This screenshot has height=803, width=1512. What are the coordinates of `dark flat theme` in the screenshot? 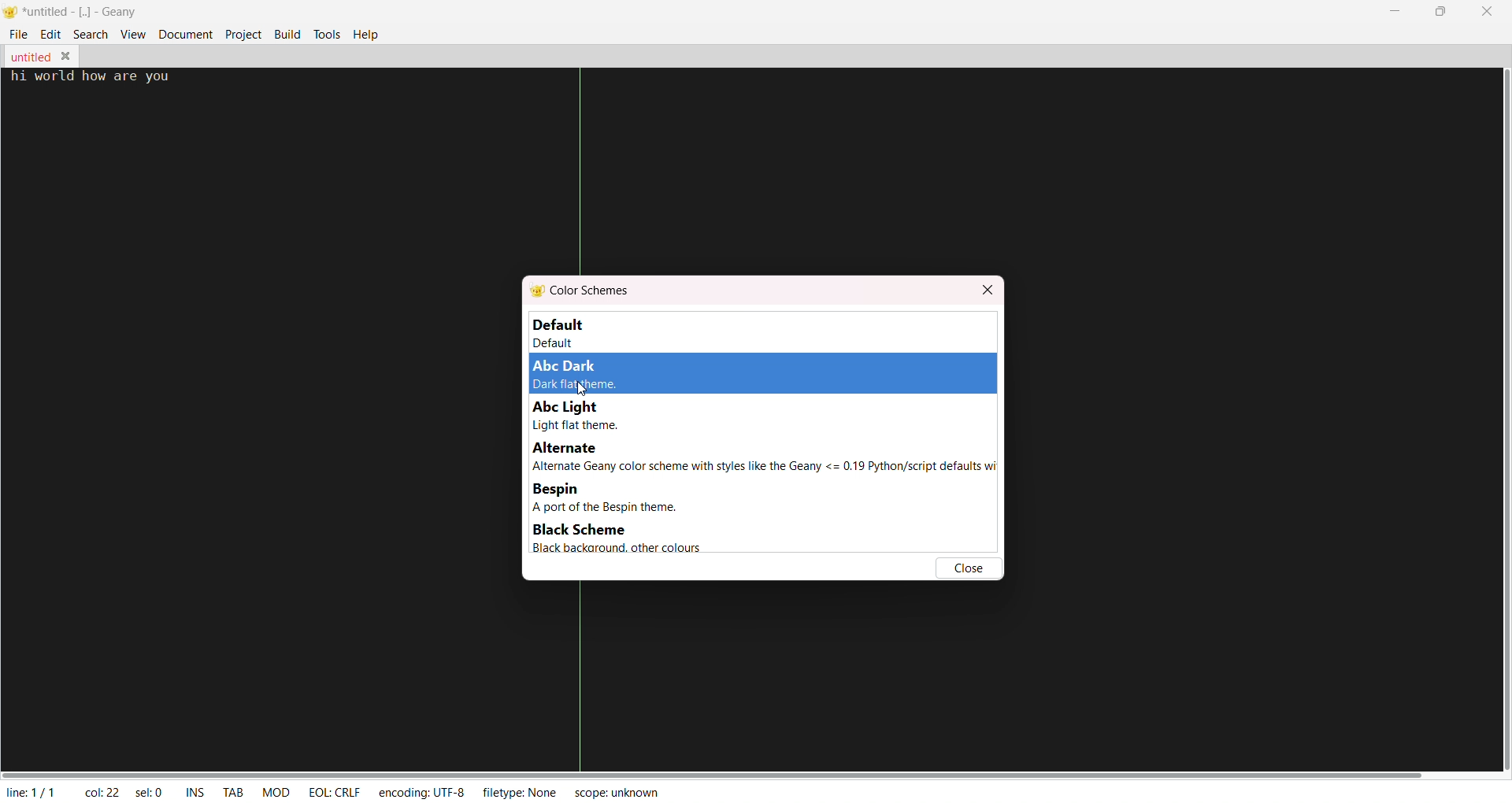 It's located at (573, 385).